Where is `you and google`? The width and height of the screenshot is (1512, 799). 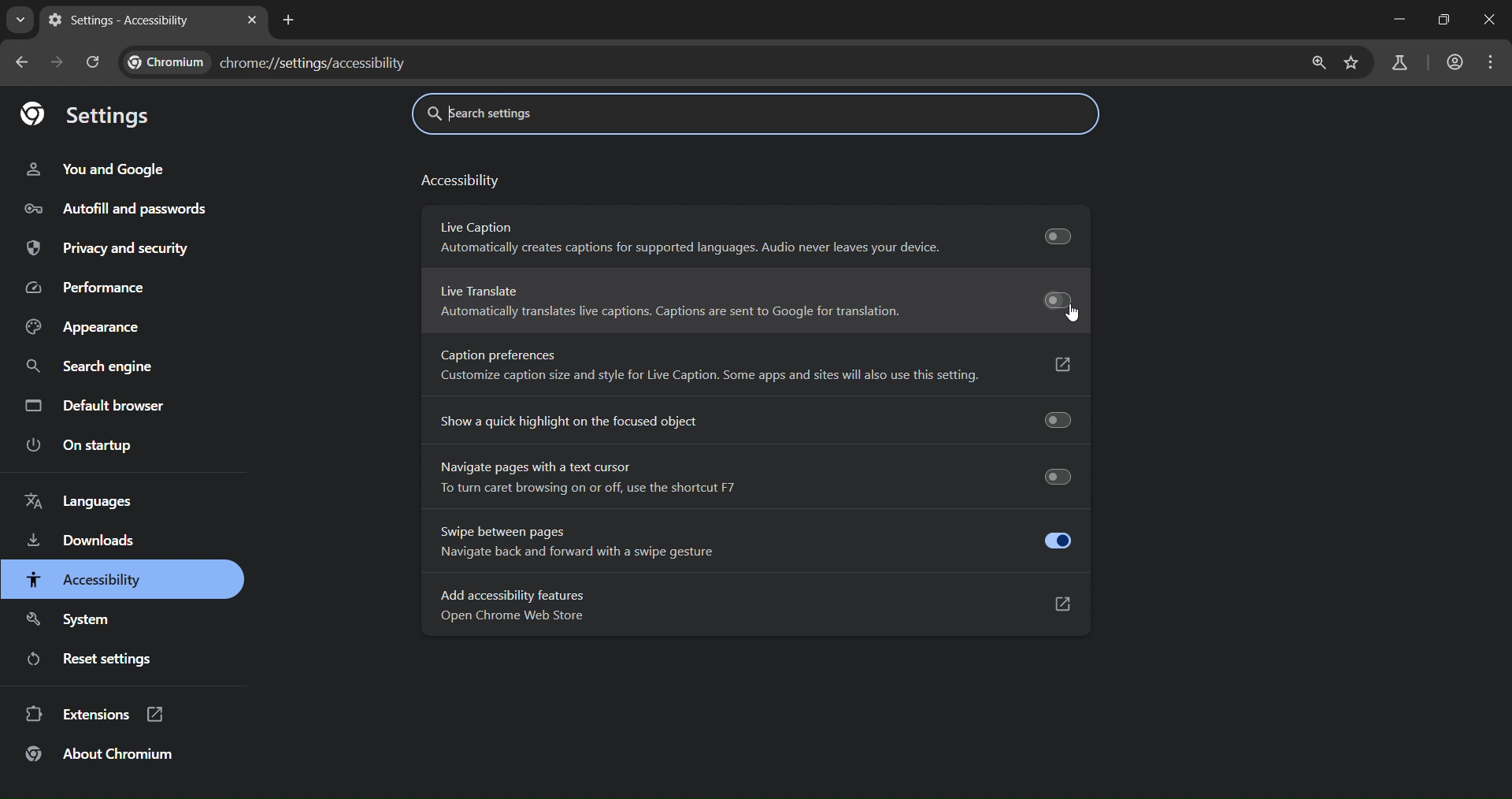 you and google is located at coordinates (100, 165).